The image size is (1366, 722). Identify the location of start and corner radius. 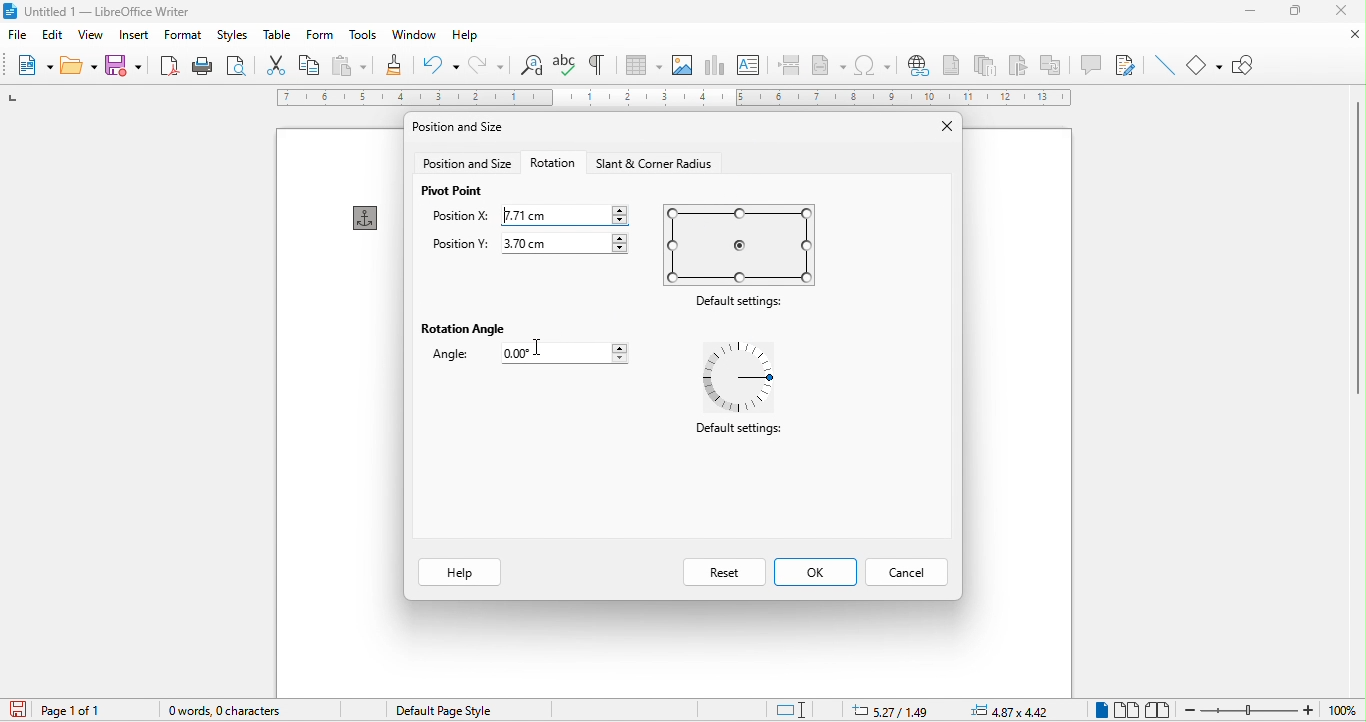
(657, 160).